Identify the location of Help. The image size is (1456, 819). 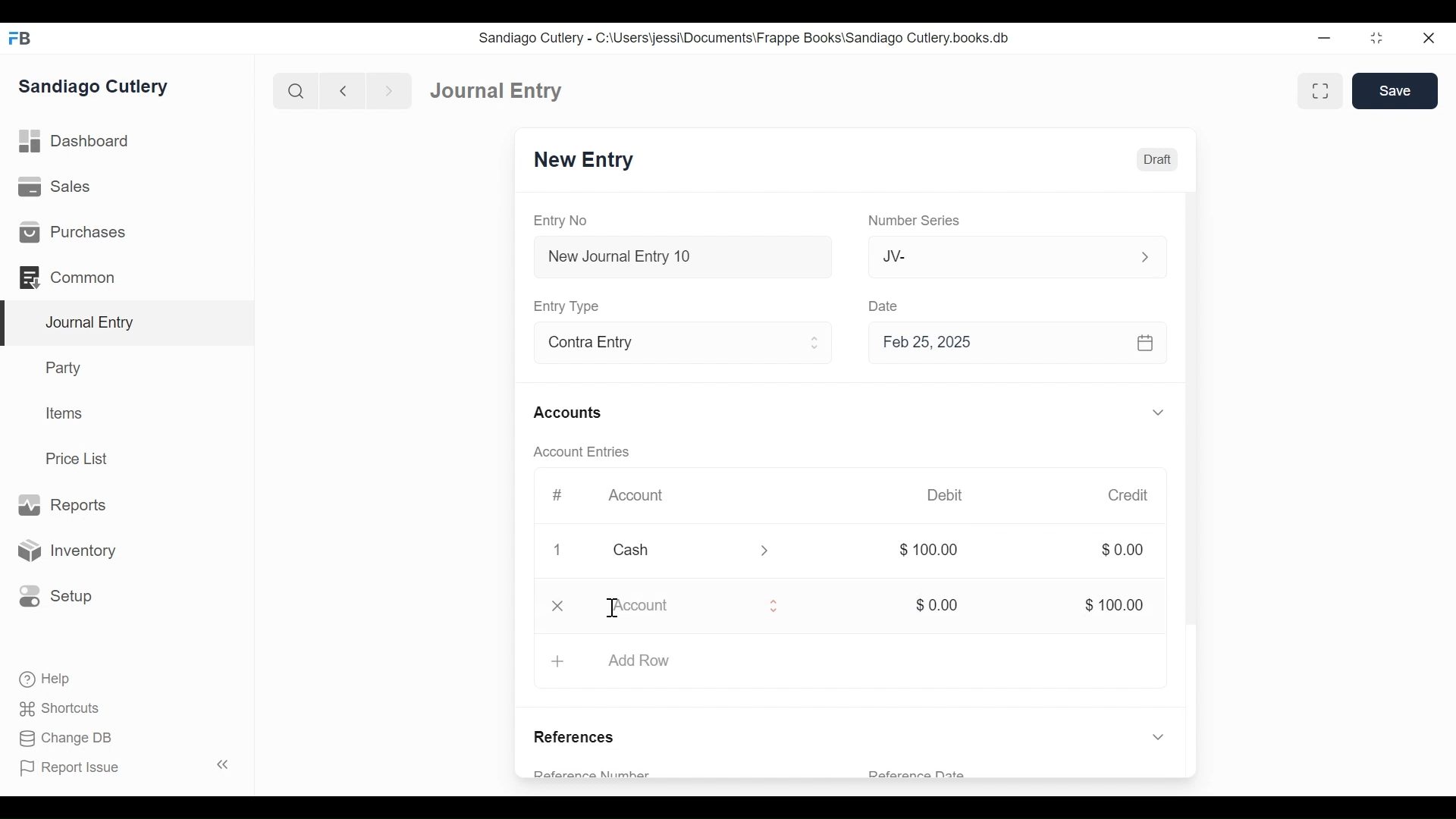
(42, 677).